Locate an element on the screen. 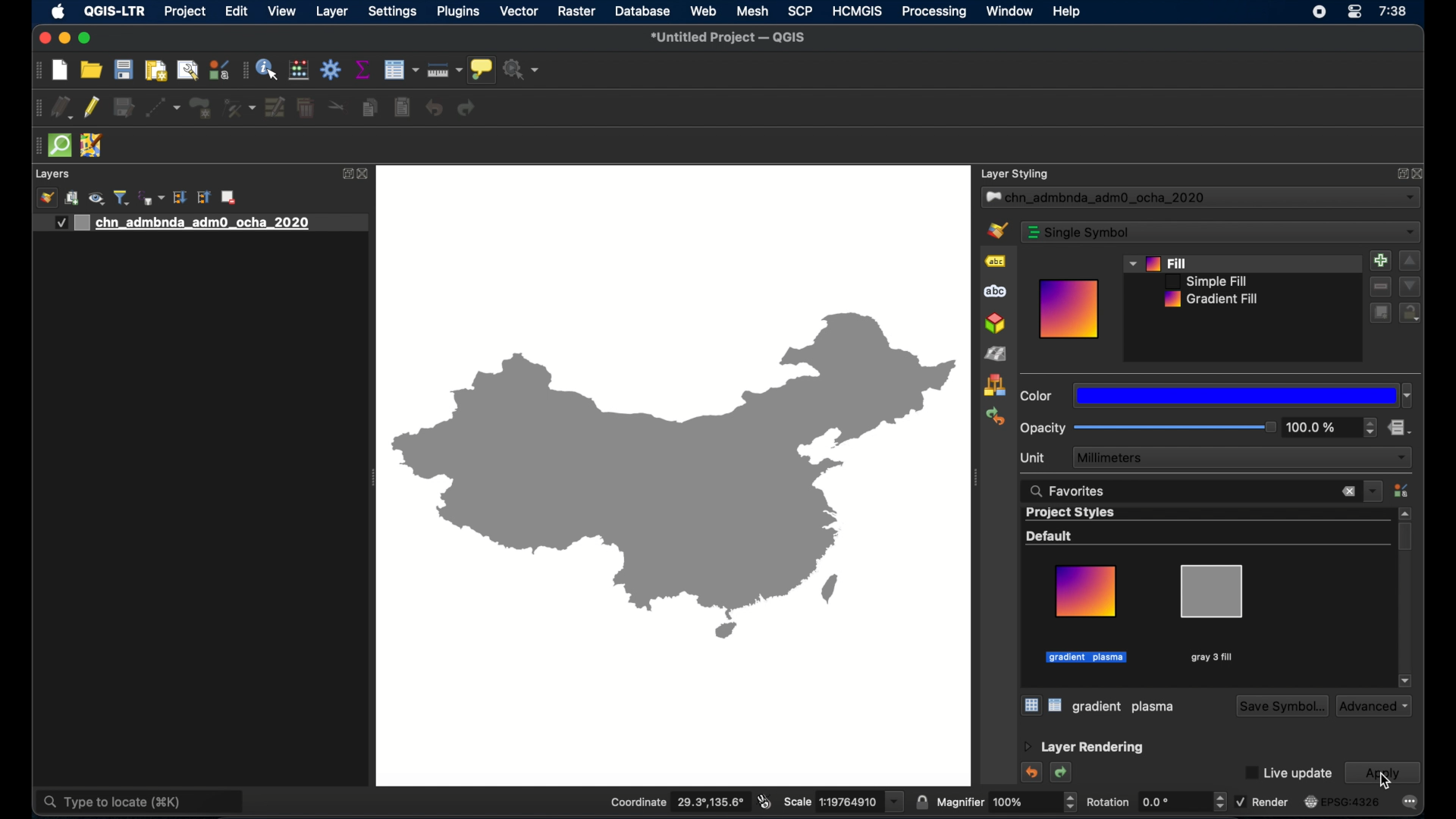 The width and height of the screenshot is (1456, 819). open layout manager is located at coordinates (188, 71).